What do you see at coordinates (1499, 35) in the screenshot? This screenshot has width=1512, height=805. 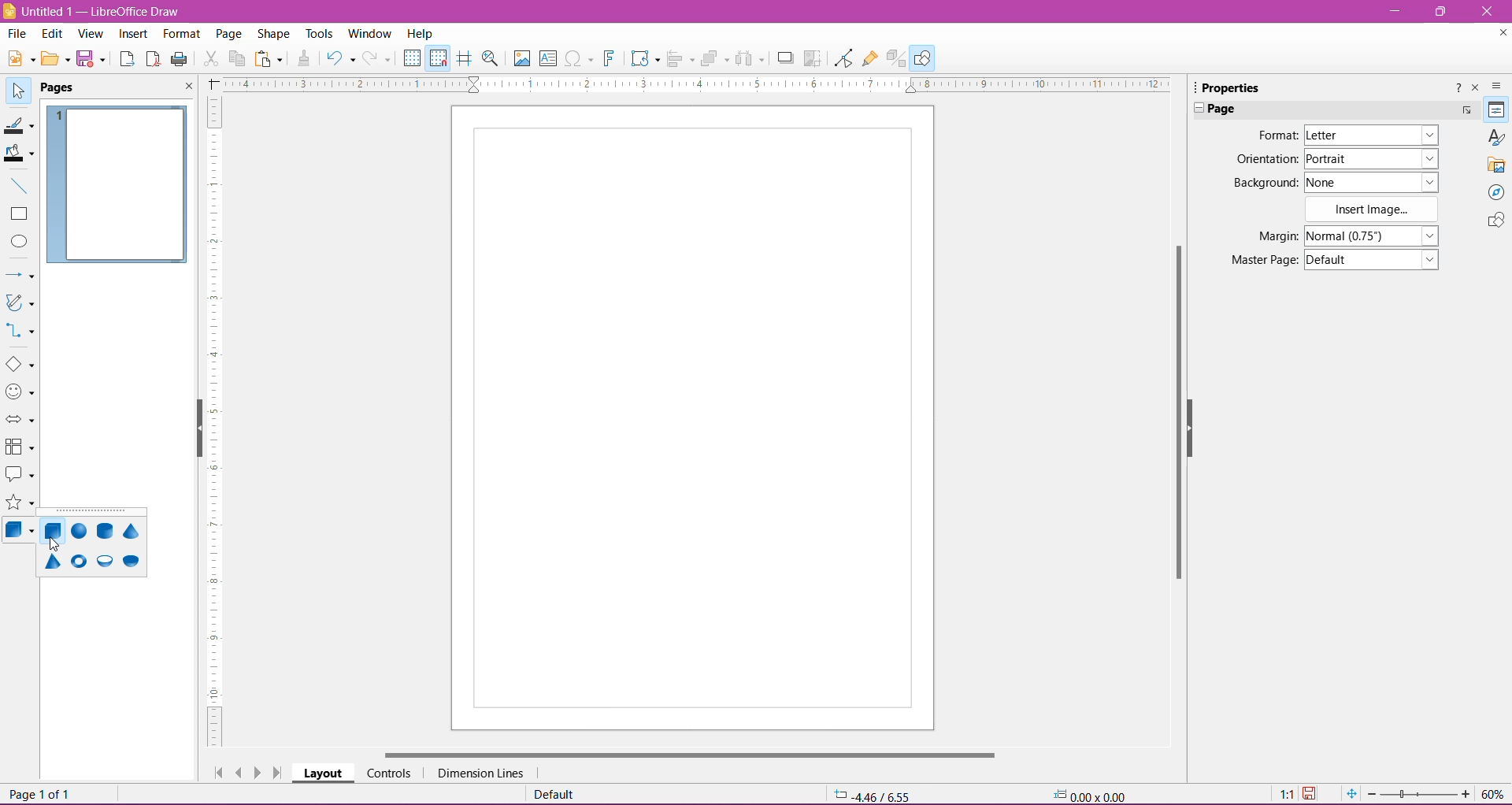 I see `Close Document` at bounding box center [1499, 35].